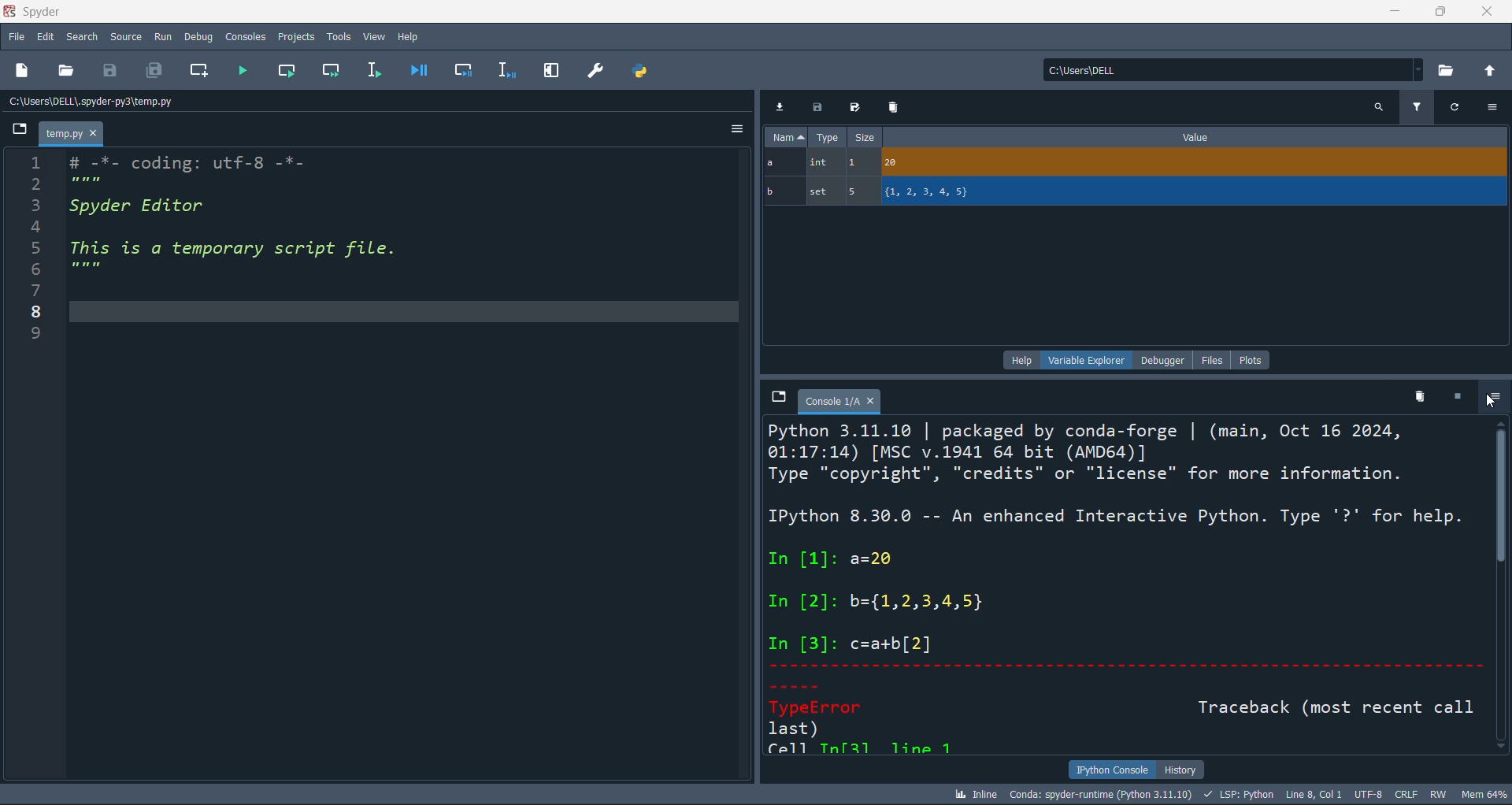 This screenshot has height=805, width=1512. I want to click on variable explorer (selected)), so click(1086, 359).